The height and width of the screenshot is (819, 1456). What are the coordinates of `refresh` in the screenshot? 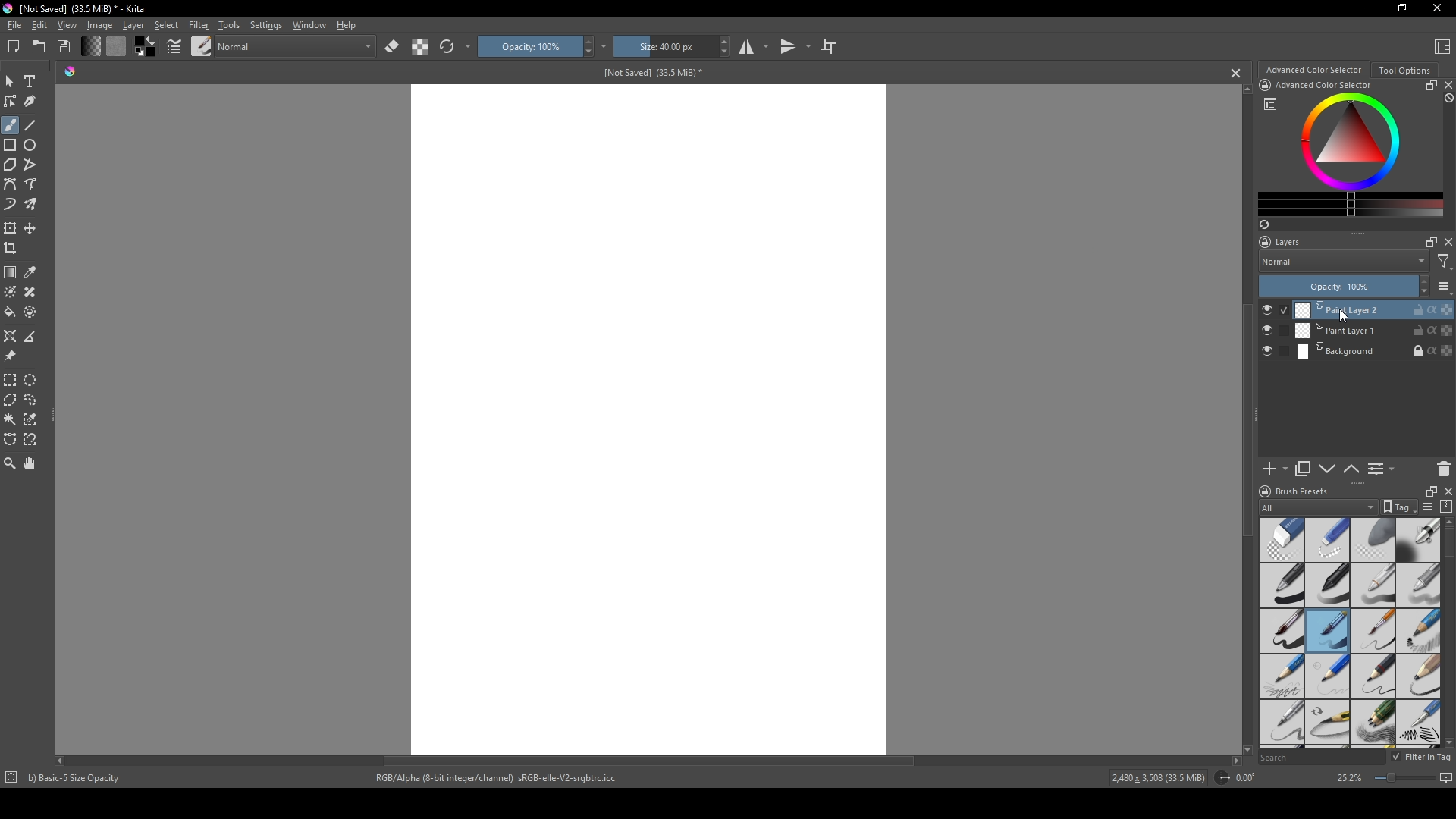 It's located at (447, 47).